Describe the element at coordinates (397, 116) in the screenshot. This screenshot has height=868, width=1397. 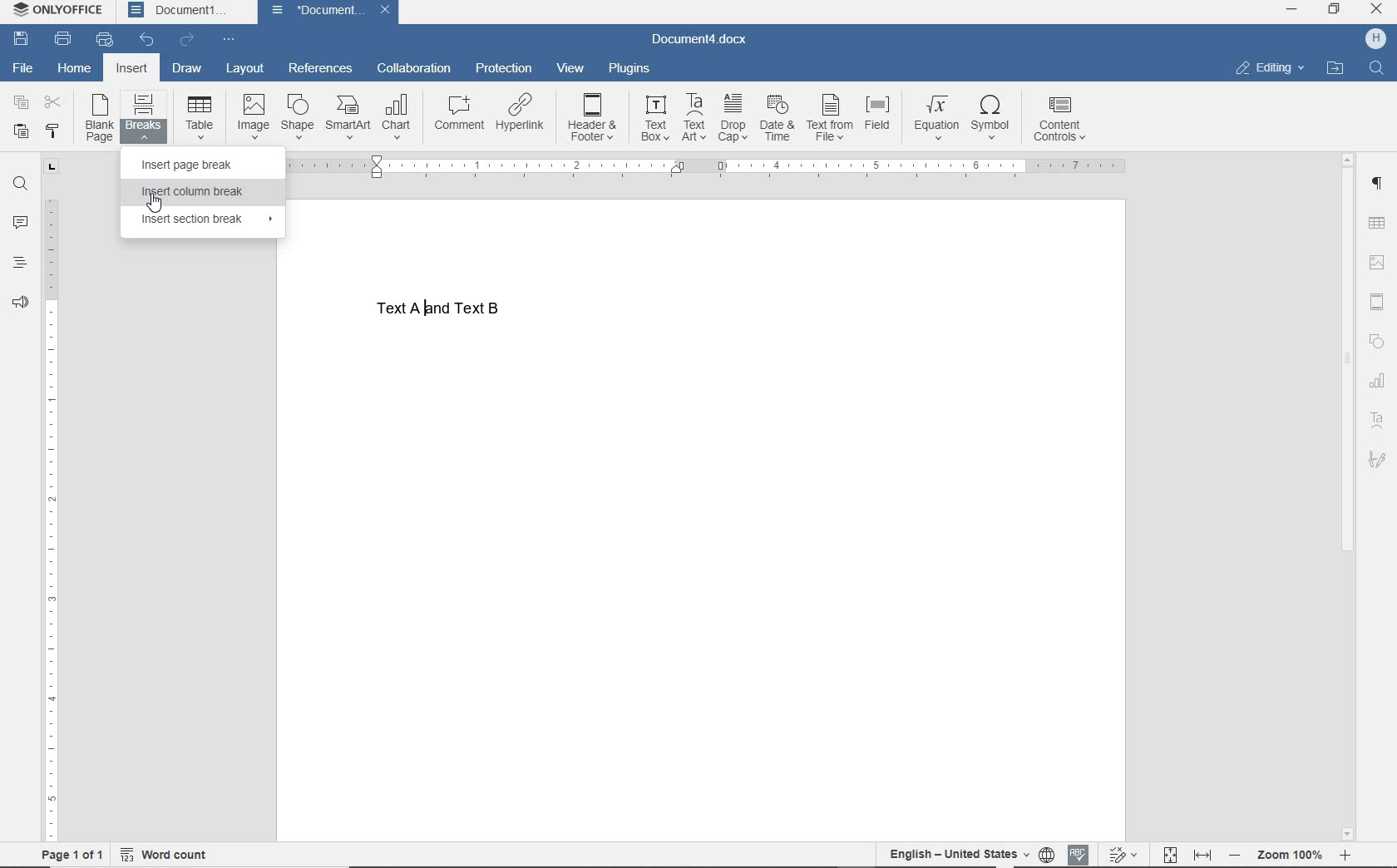
I see `CHART` at that location.